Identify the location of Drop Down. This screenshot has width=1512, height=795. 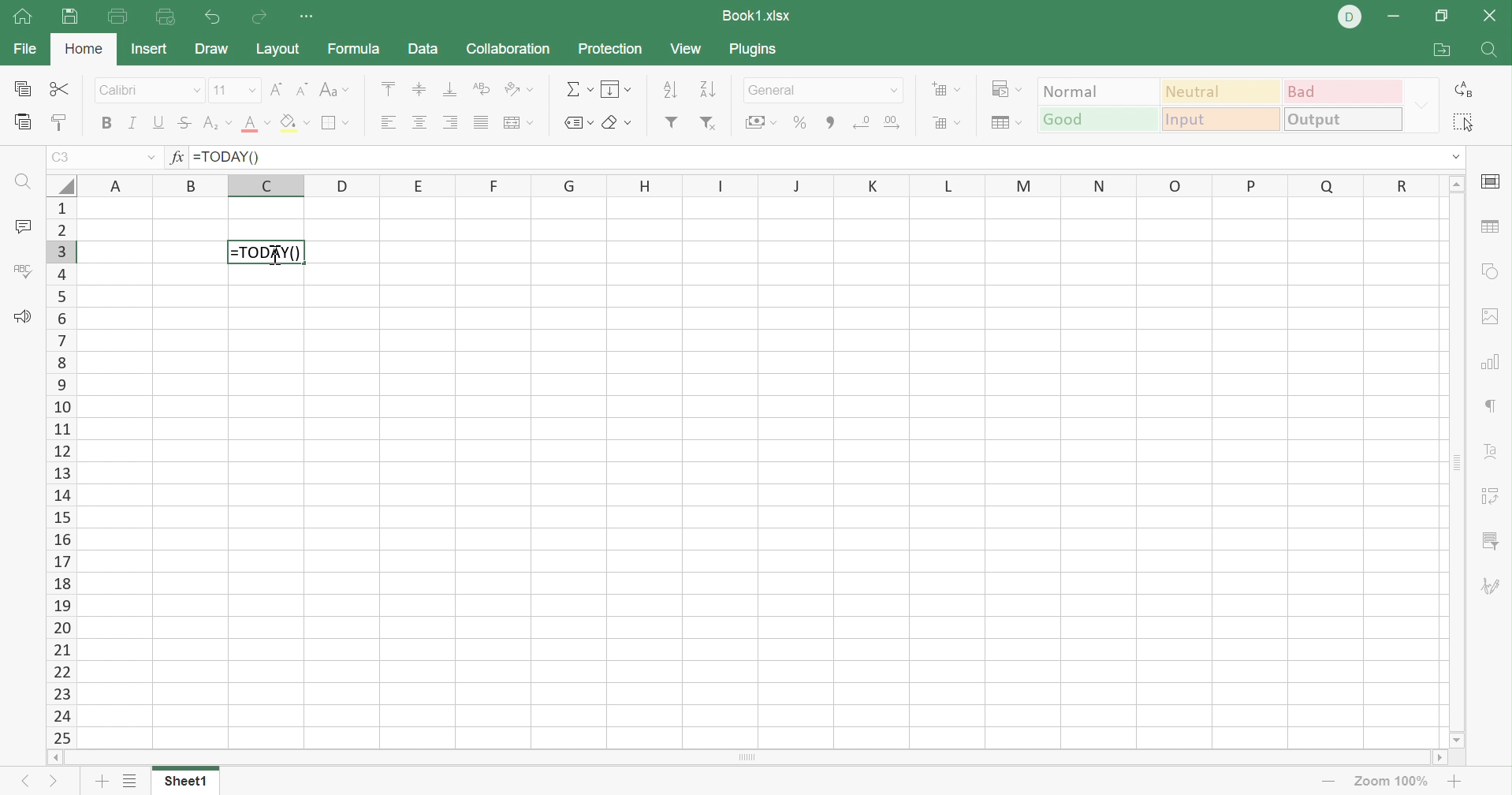
(897, 93).